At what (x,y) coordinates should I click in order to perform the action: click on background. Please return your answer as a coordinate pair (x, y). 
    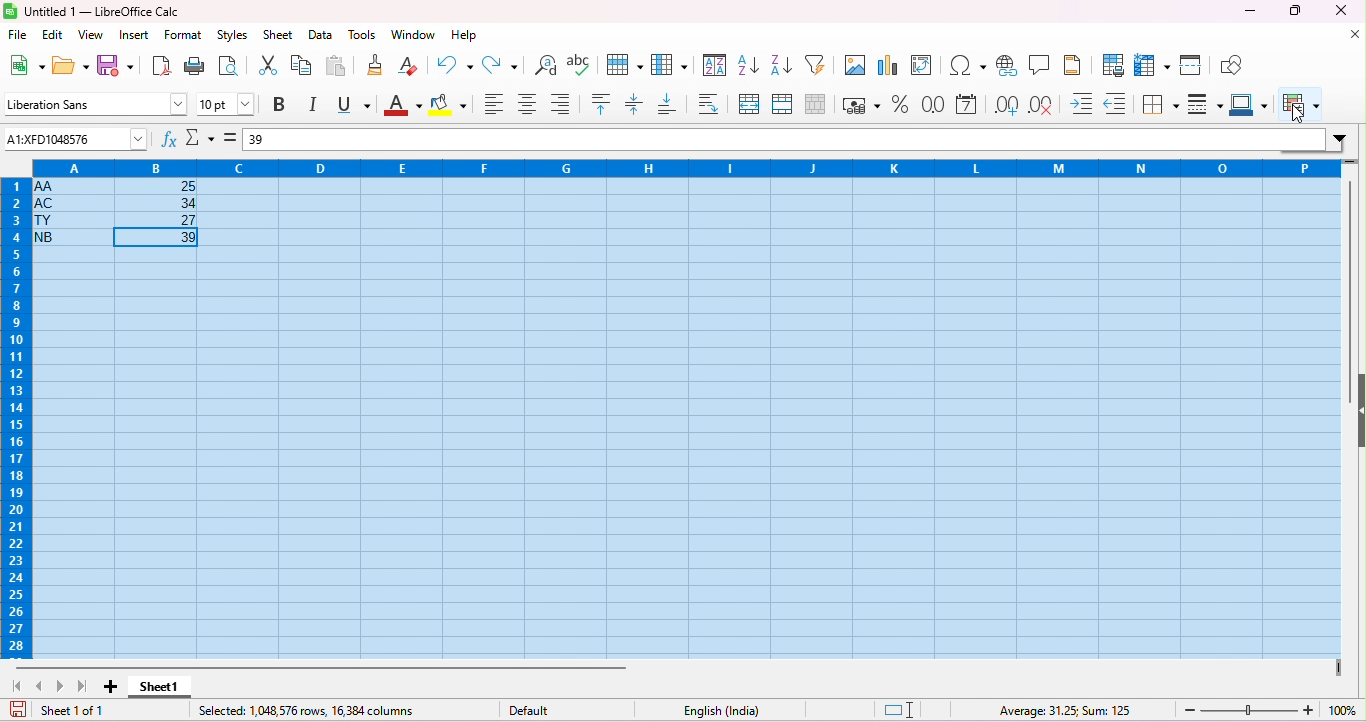
    Looking at the image, I should click on (449, 106).